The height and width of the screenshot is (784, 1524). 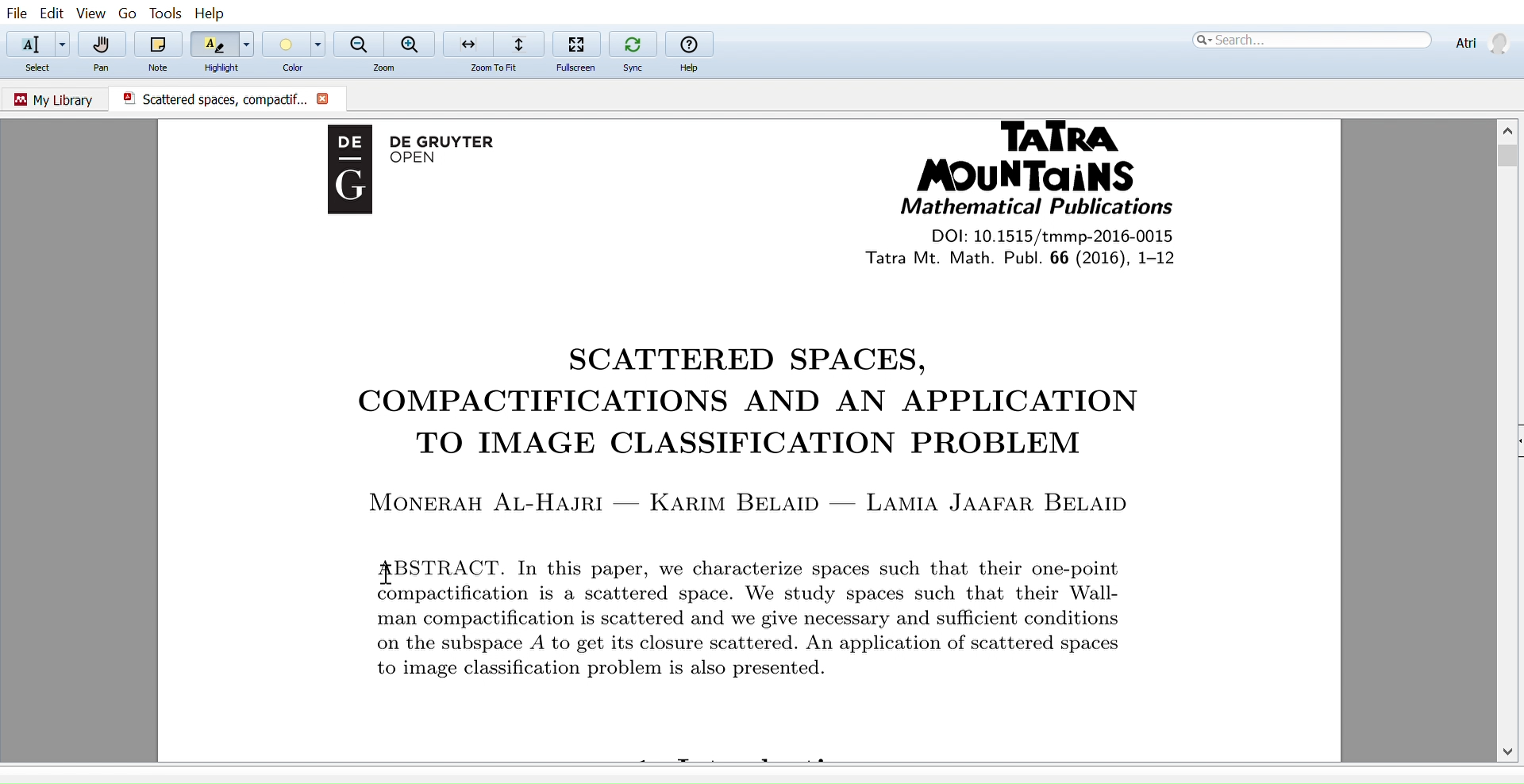 What do you see at coordinates (162, 13) in the screenshot?
I see `Tools` at bounding box center [162, 13].